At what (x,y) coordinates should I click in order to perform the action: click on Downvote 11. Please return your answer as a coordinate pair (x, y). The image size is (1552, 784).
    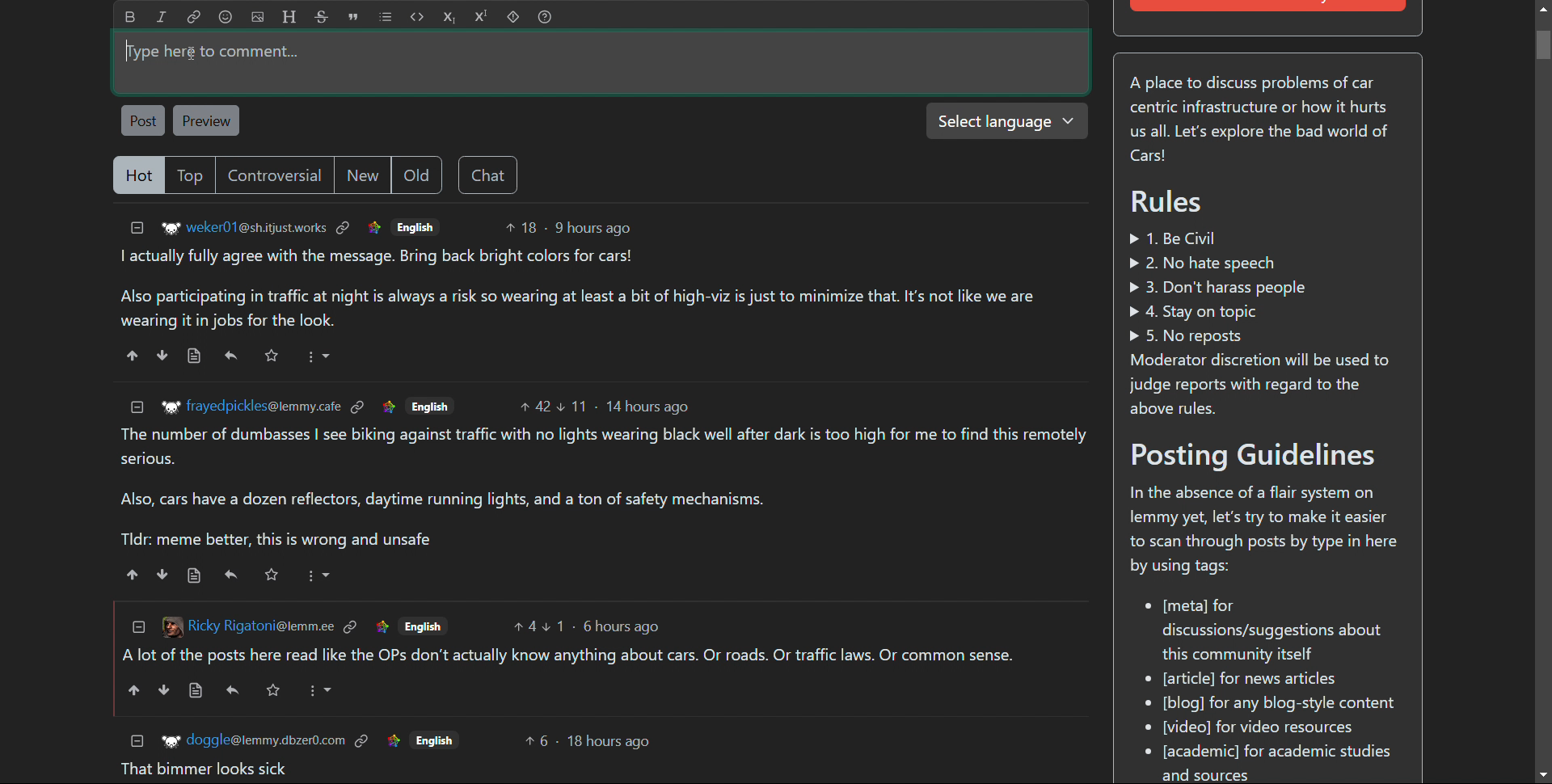
    Looking at the image, I should click on (575, 403).